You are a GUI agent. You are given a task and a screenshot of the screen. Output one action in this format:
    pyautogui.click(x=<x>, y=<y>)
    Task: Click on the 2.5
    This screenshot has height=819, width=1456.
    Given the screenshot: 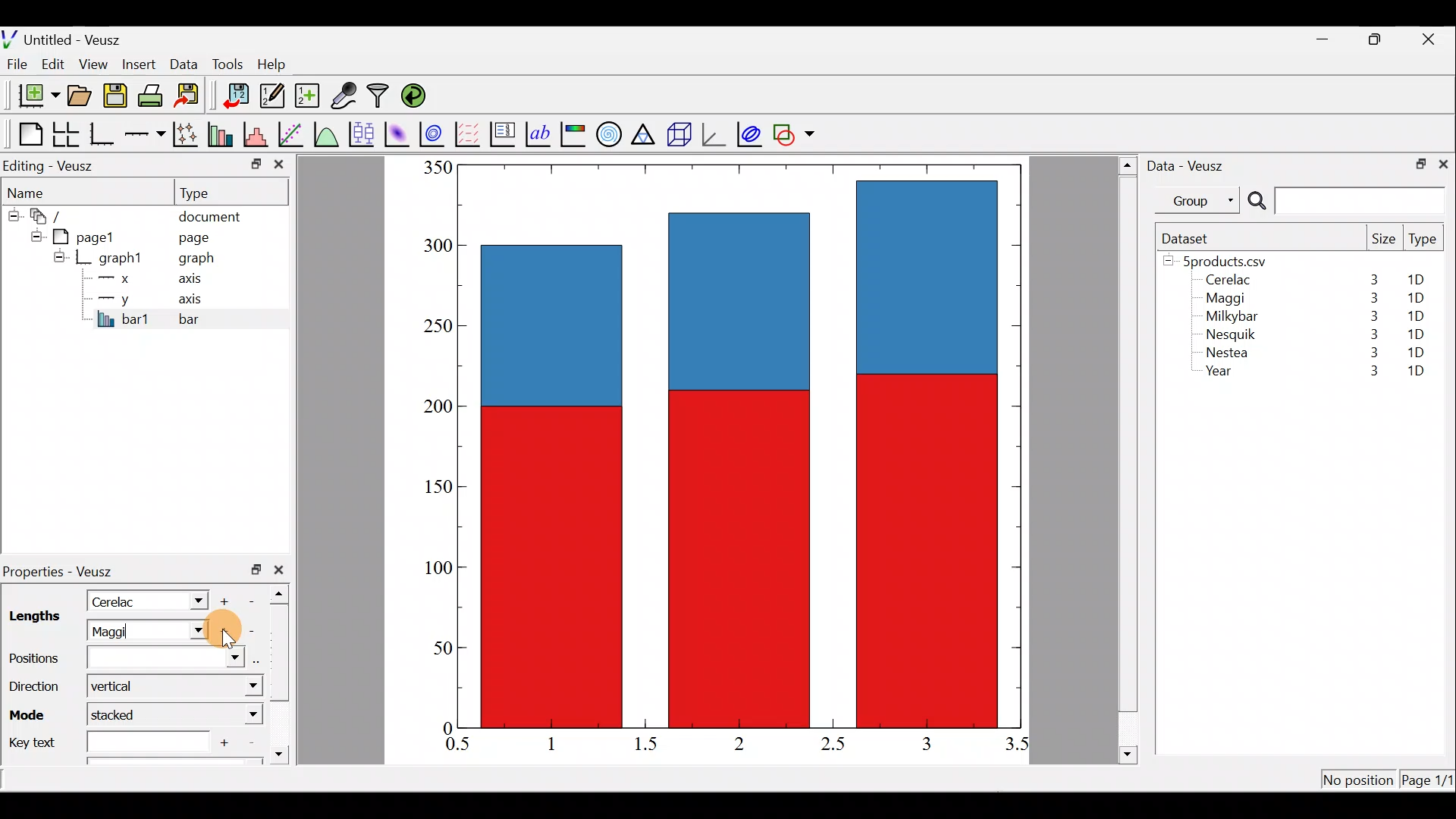 What is the action you would take?
    pyautogui.click(x=833, y=744)
    